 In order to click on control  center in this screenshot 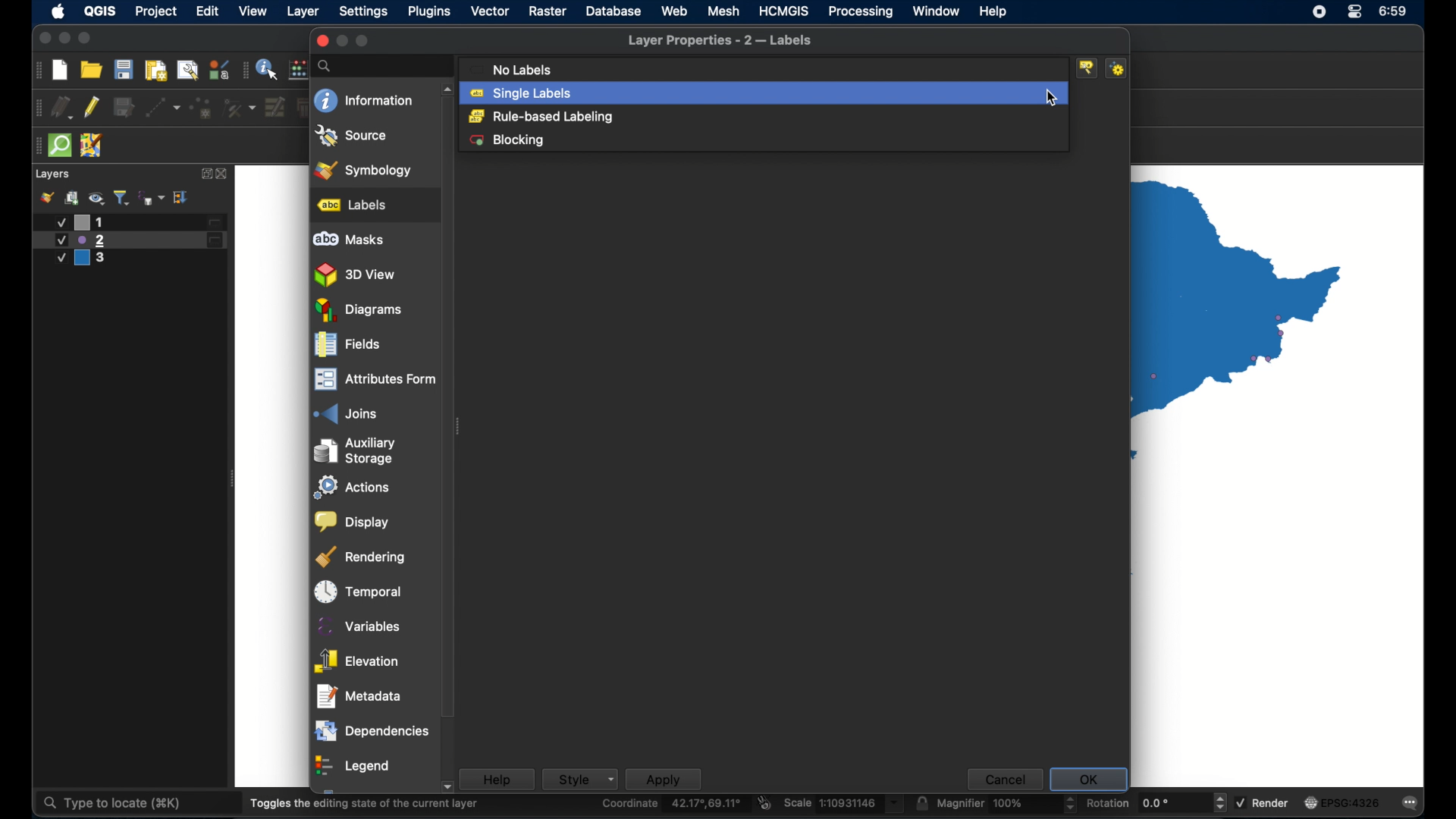, I will do `click(1317, 13)`.